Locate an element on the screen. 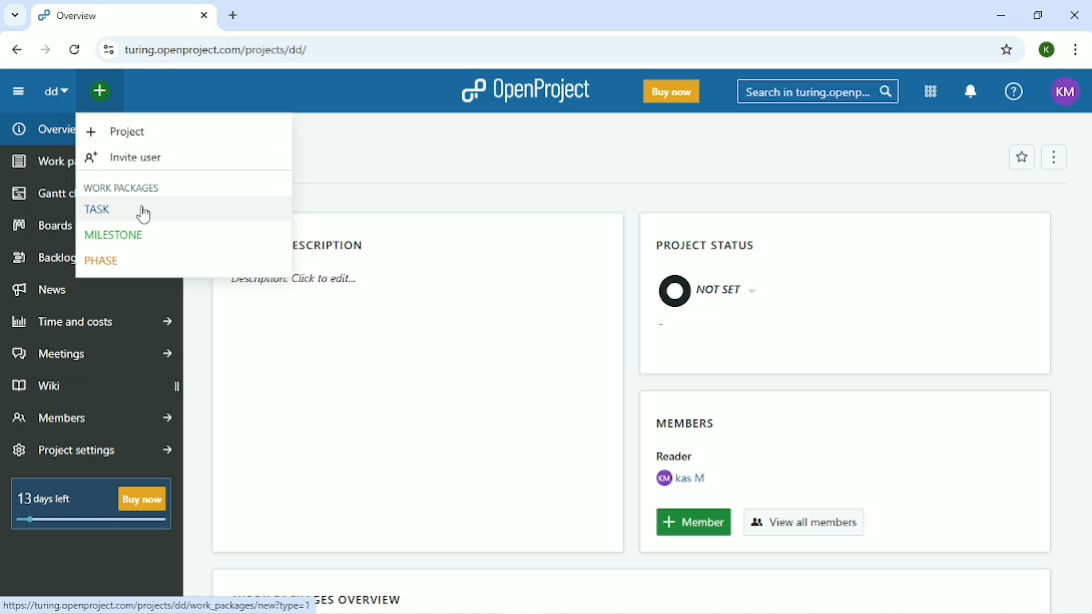 The height and width of the screenshot is (614, 1092). Wiki is located at coordinates (93, 387).